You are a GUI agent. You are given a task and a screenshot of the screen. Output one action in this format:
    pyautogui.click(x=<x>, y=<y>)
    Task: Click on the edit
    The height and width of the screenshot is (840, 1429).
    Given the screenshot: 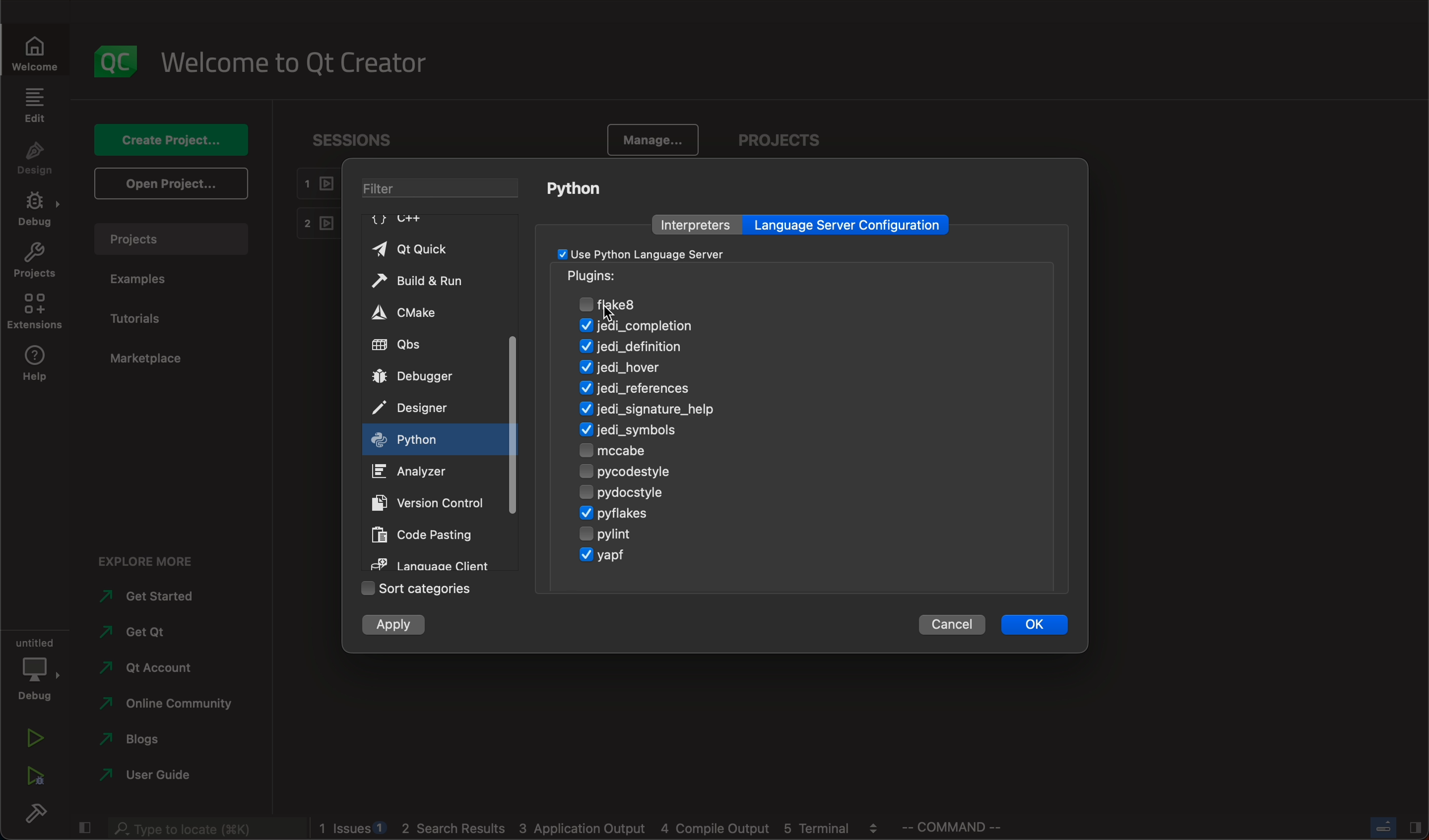 What is the action you would take?
    pyautogui.click(x=33, y=106)
    